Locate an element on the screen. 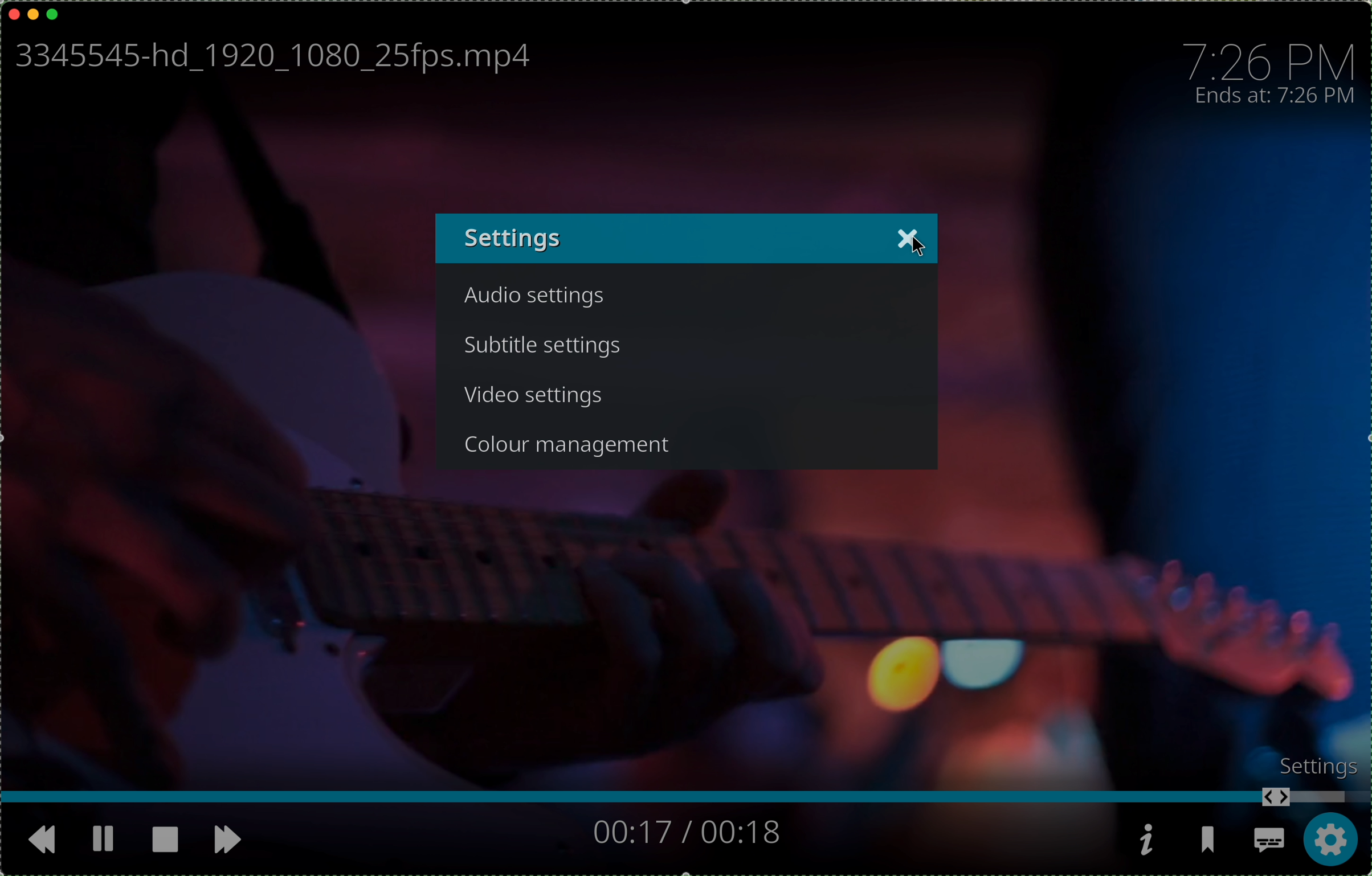  maximise is located at coordinates (54, 14).